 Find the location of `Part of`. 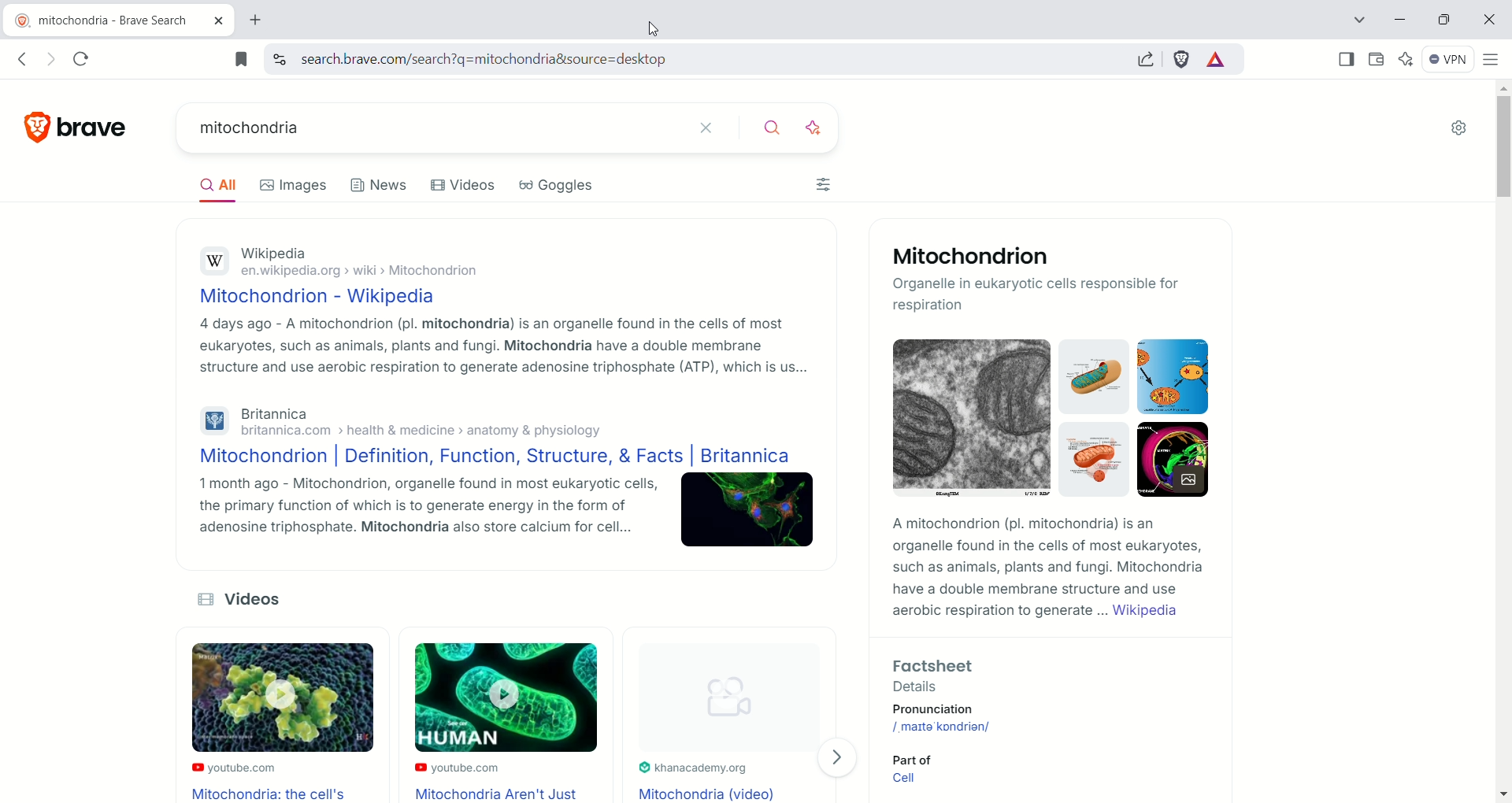

Part of is located at coordinates (909, 758).